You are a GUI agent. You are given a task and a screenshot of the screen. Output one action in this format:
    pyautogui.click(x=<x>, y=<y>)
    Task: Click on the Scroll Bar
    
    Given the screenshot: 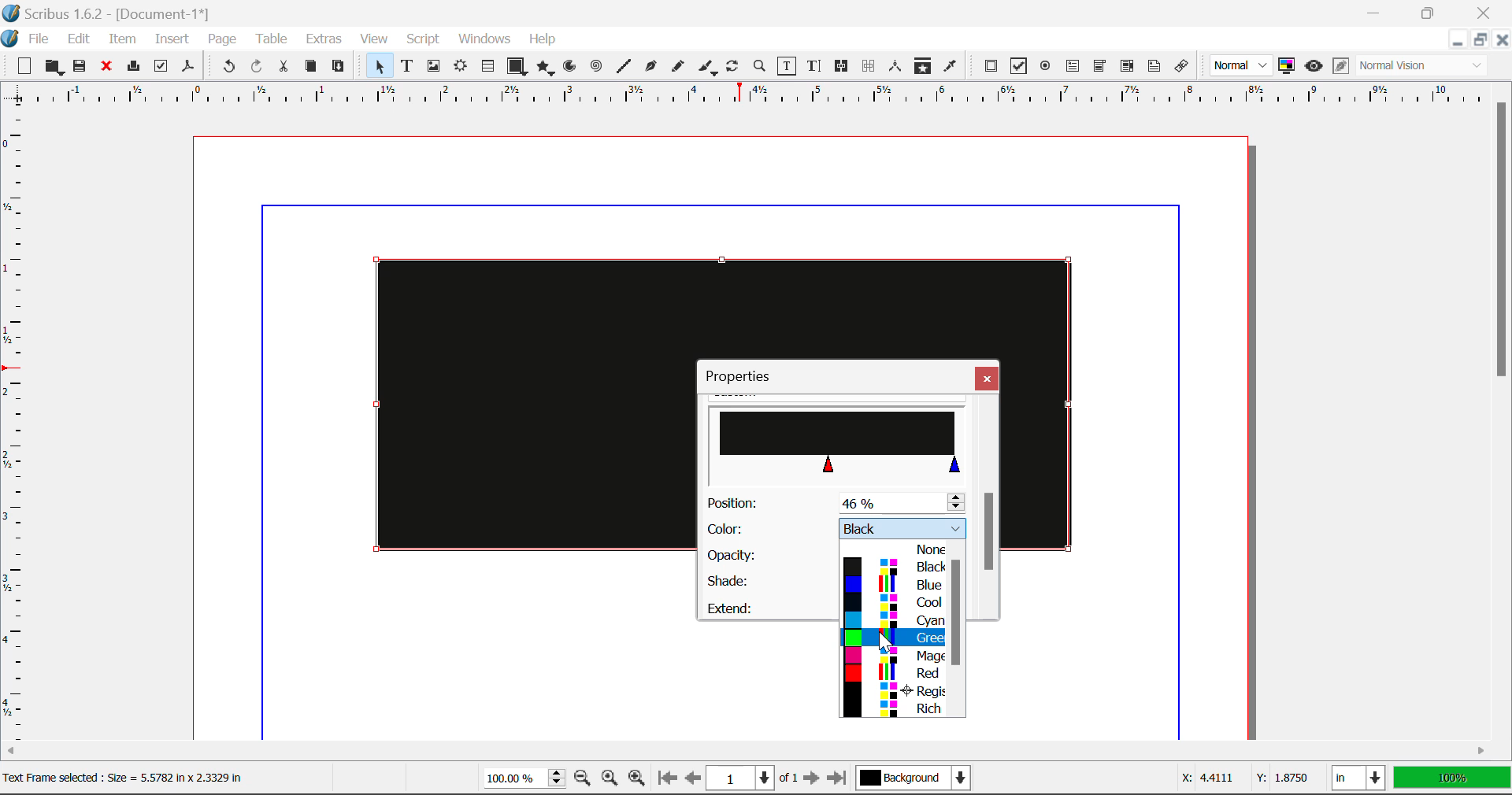 What is the action you would take?
    pyautogui.click(x=988, y=508)
    